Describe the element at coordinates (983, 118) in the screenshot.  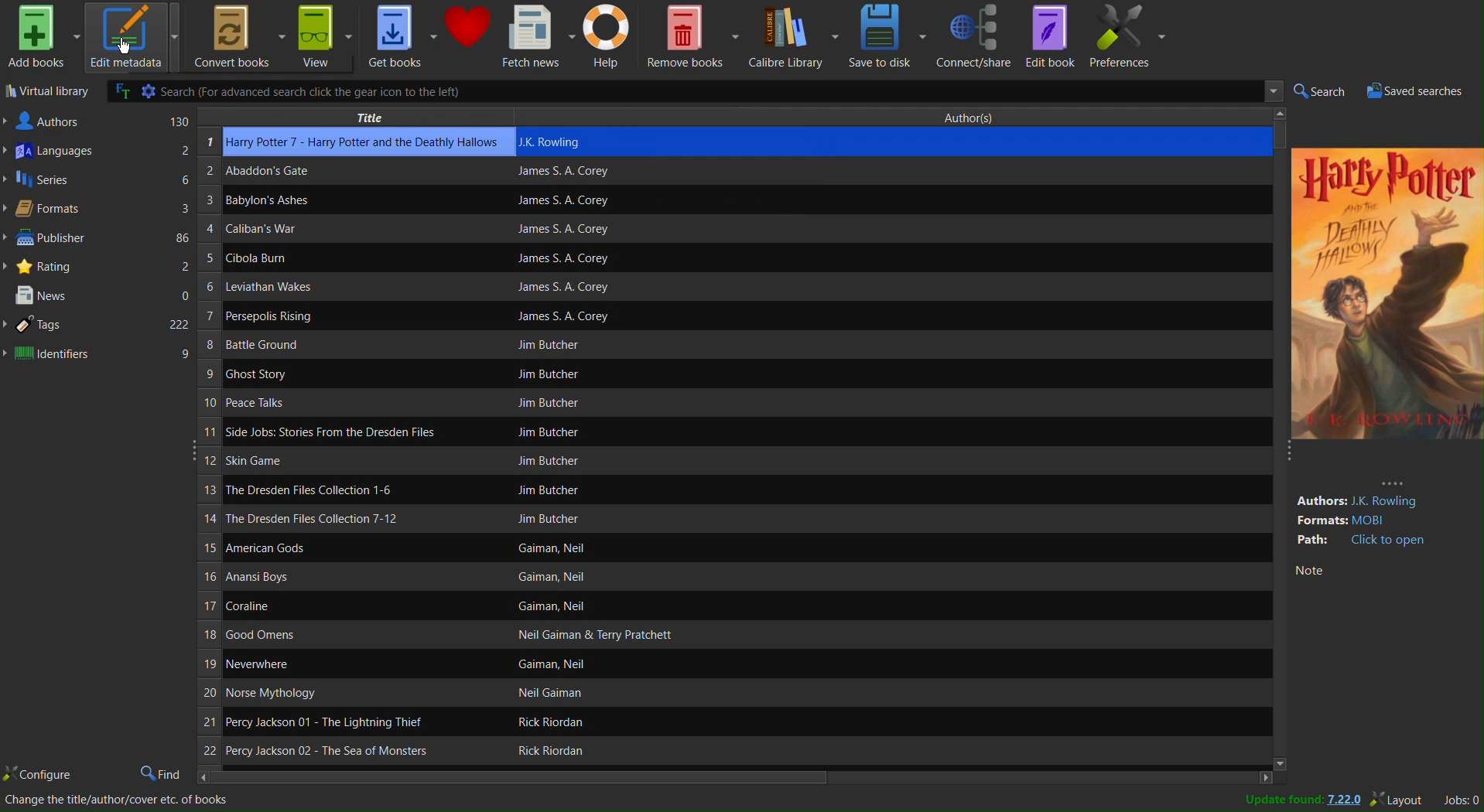
I see `Authors` at that location.